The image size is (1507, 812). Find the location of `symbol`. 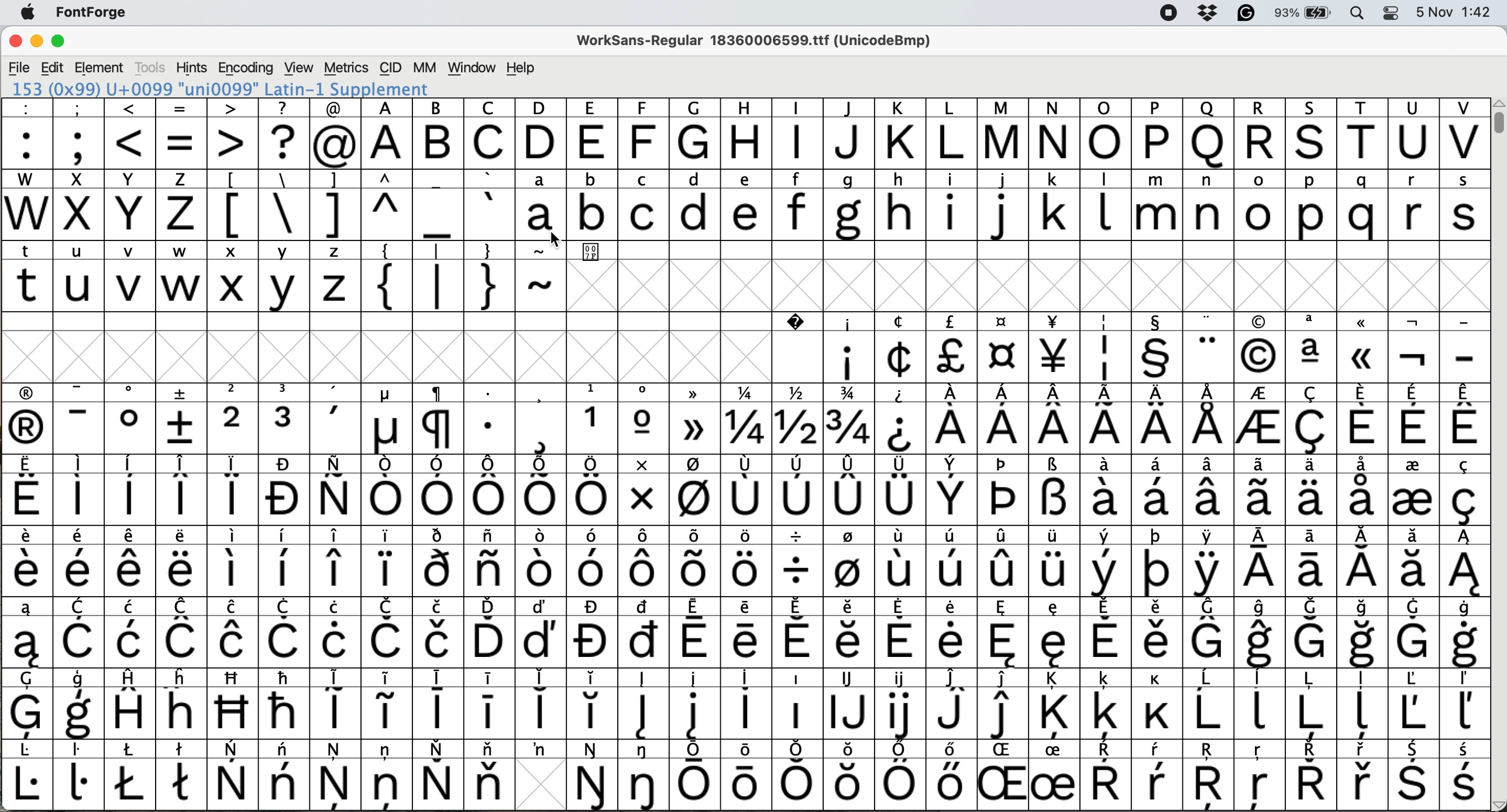

symbol is located at coordinates (901, 490).